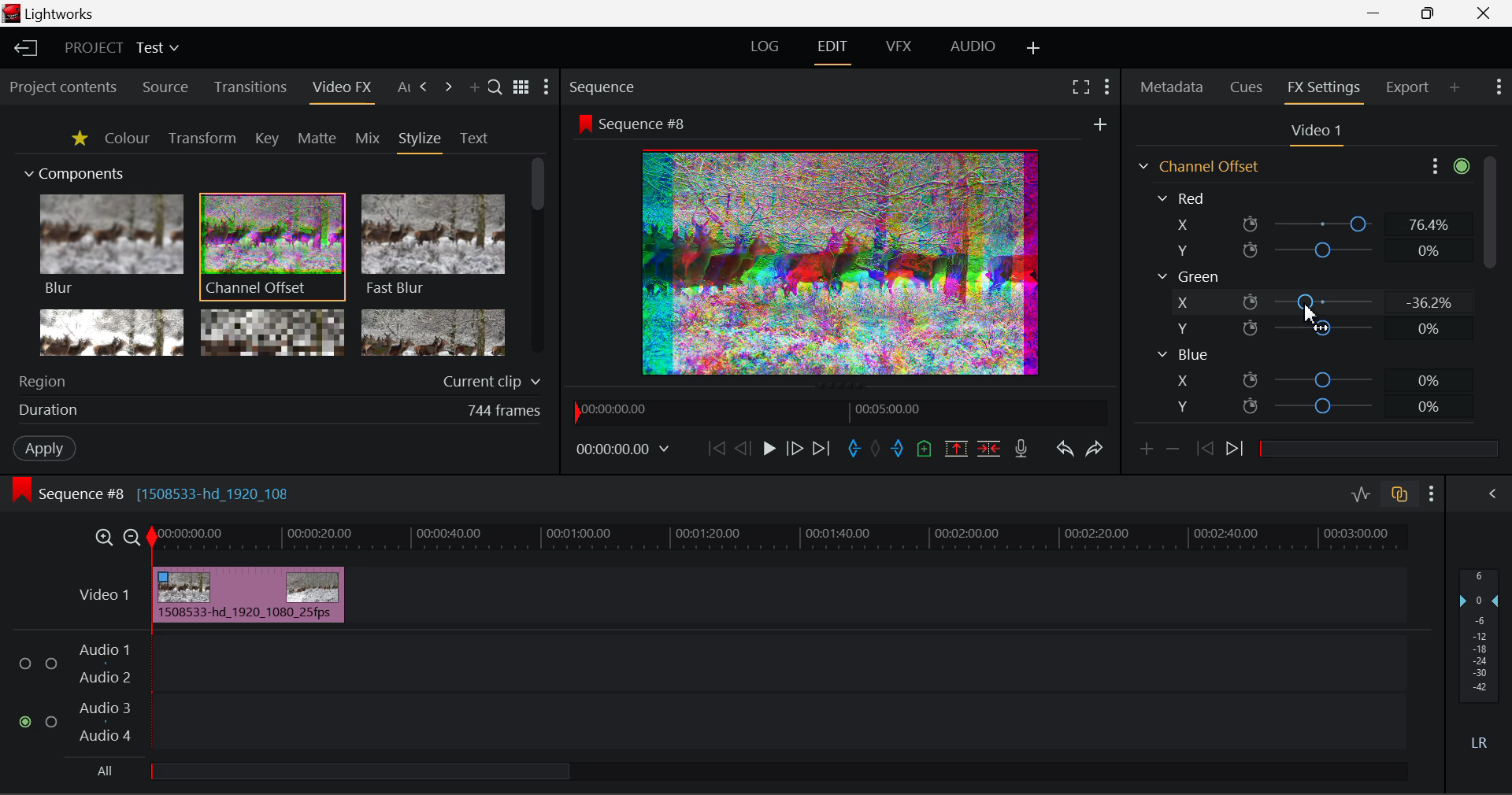 The height and width of the screenshot is (795, 1512). What do you see at coordinates (1095, 452) in the screenshot?
I see `Redo` at bounding box center [1095, 452].